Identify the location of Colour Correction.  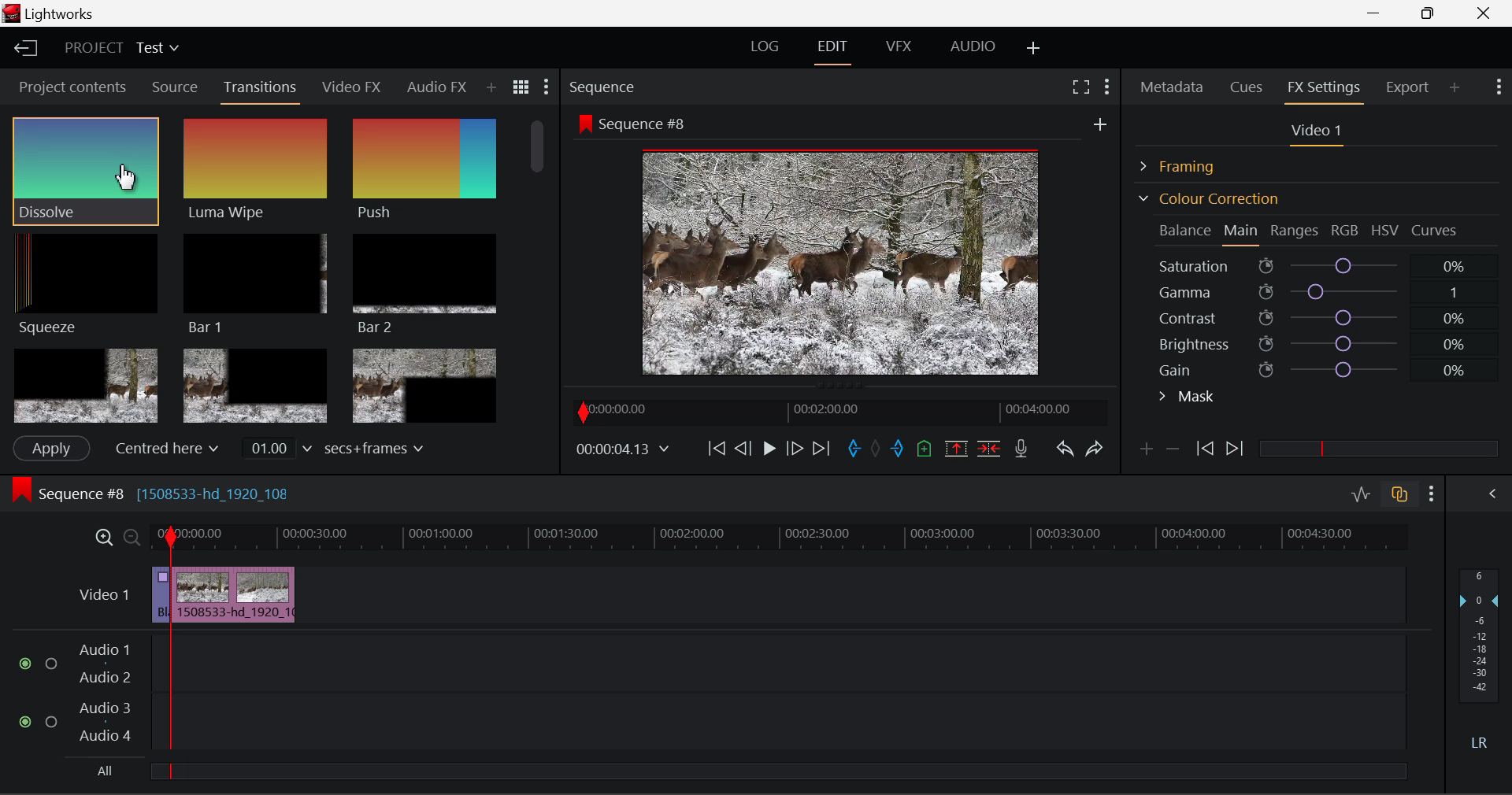
(1208, 198).